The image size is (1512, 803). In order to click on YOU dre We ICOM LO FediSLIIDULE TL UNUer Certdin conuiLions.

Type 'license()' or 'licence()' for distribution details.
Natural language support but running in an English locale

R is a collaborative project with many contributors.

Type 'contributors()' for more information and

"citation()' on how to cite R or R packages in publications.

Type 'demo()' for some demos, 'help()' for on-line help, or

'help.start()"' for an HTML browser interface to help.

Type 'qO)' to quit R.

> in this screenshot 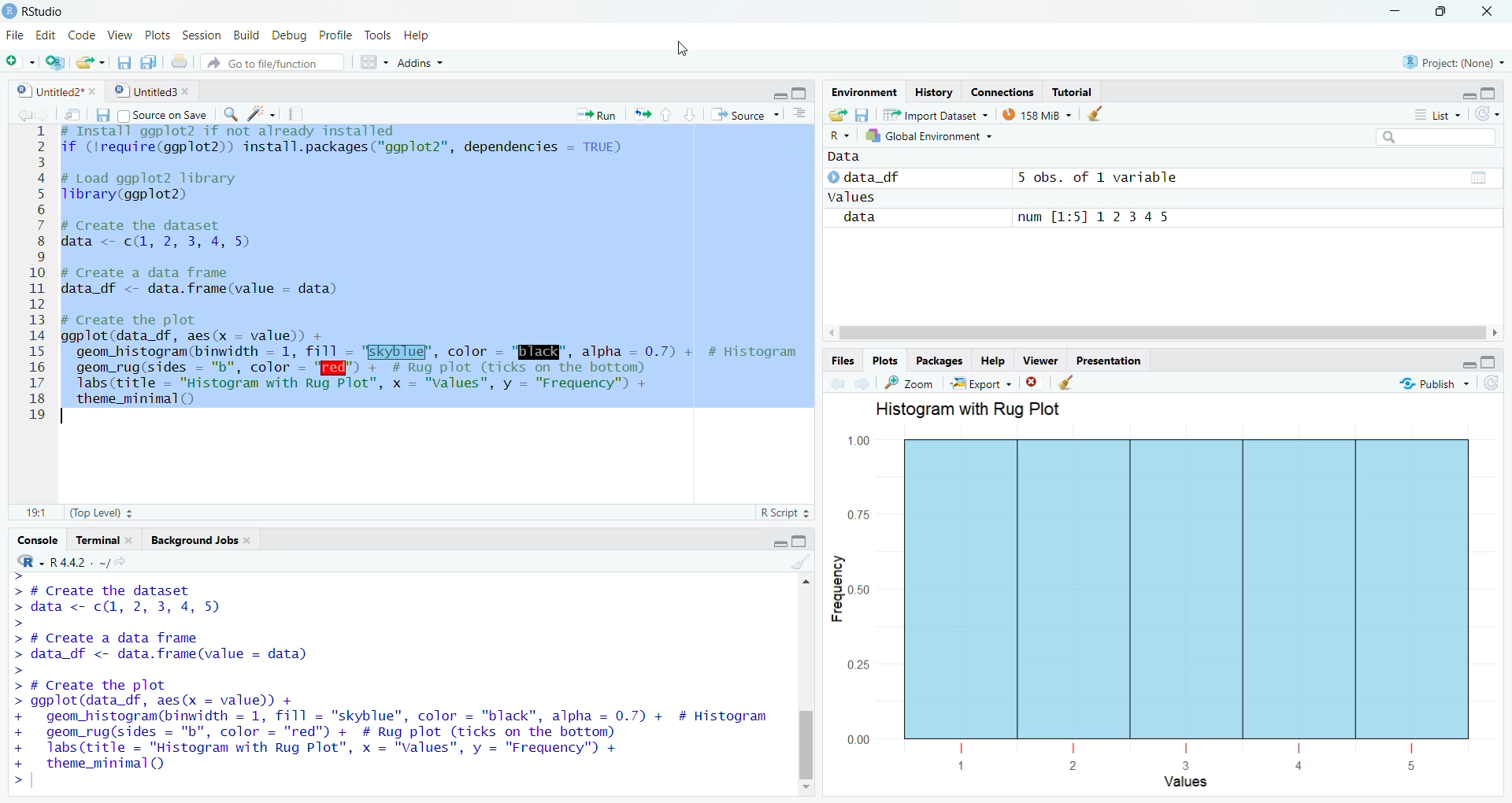, I will do `click(356, 670)`.